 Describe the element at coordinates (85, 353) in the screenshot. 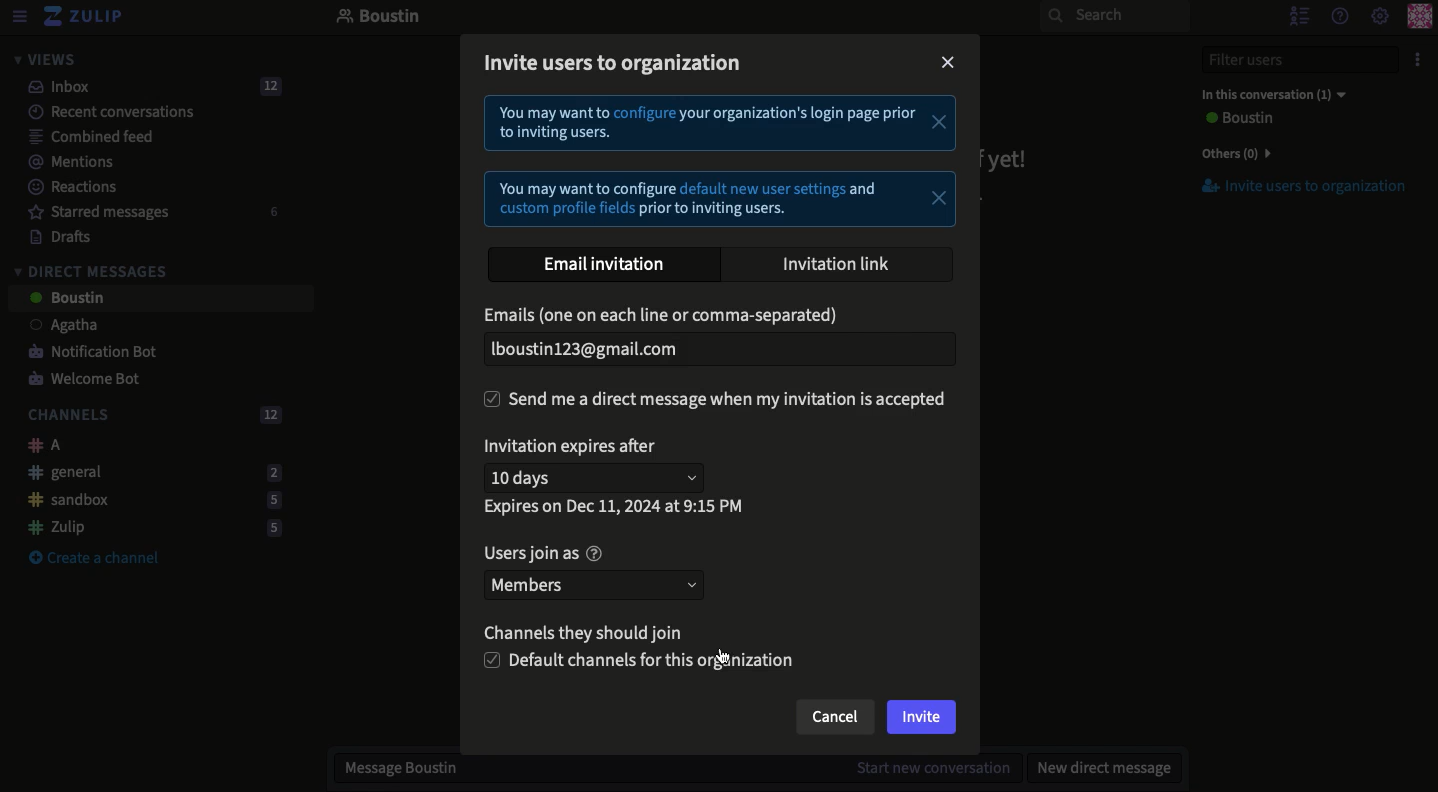

I see `Notification bot` at that location.